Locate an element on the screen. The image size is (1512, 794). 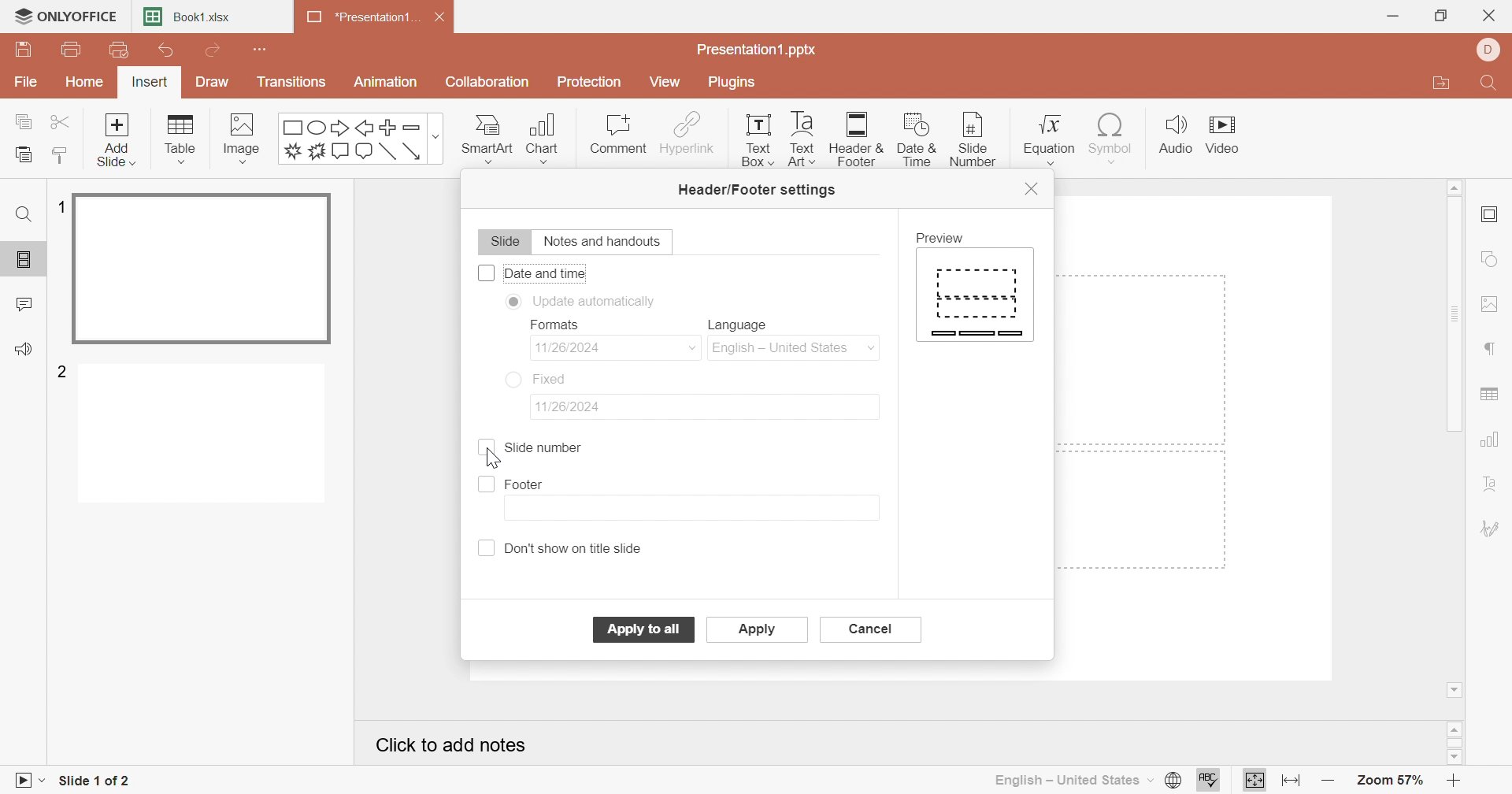
Paste is located at coordinates (23, 155).